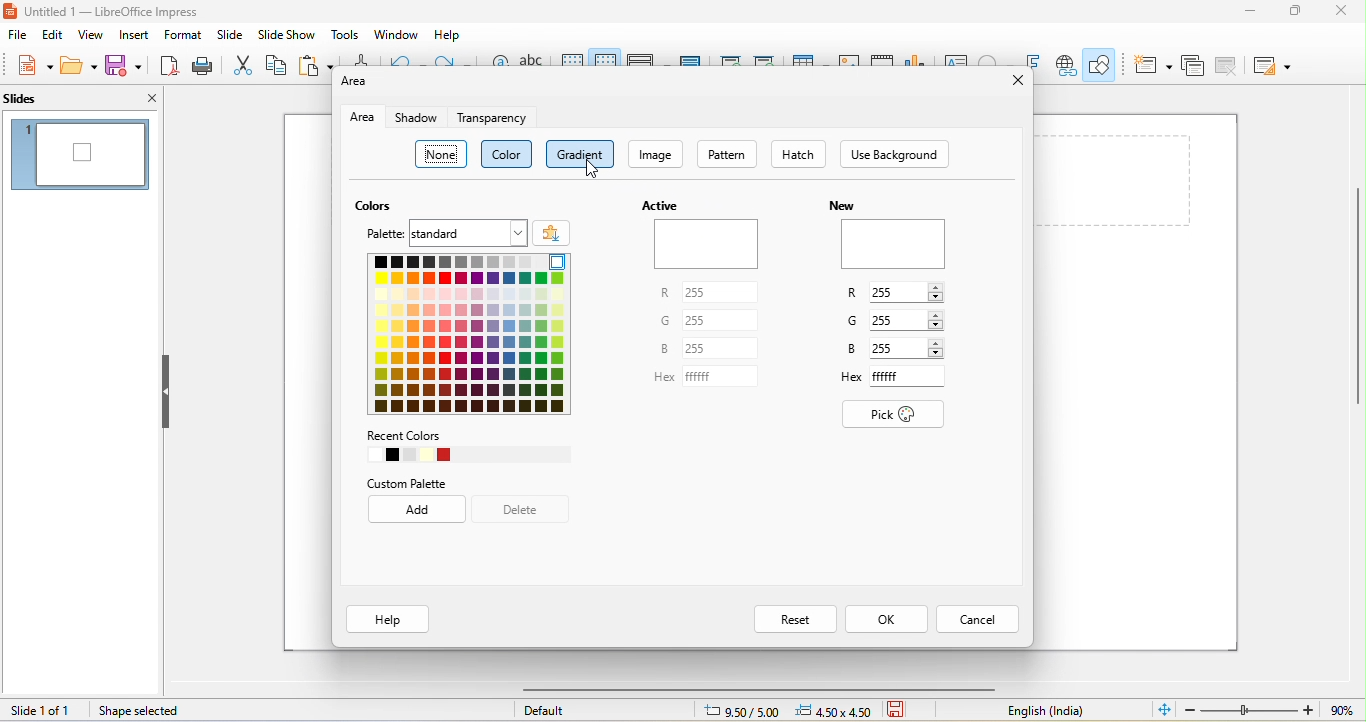 The width and height of the screenshot is (1366, 722). I want to click on help, so click(449, 35).